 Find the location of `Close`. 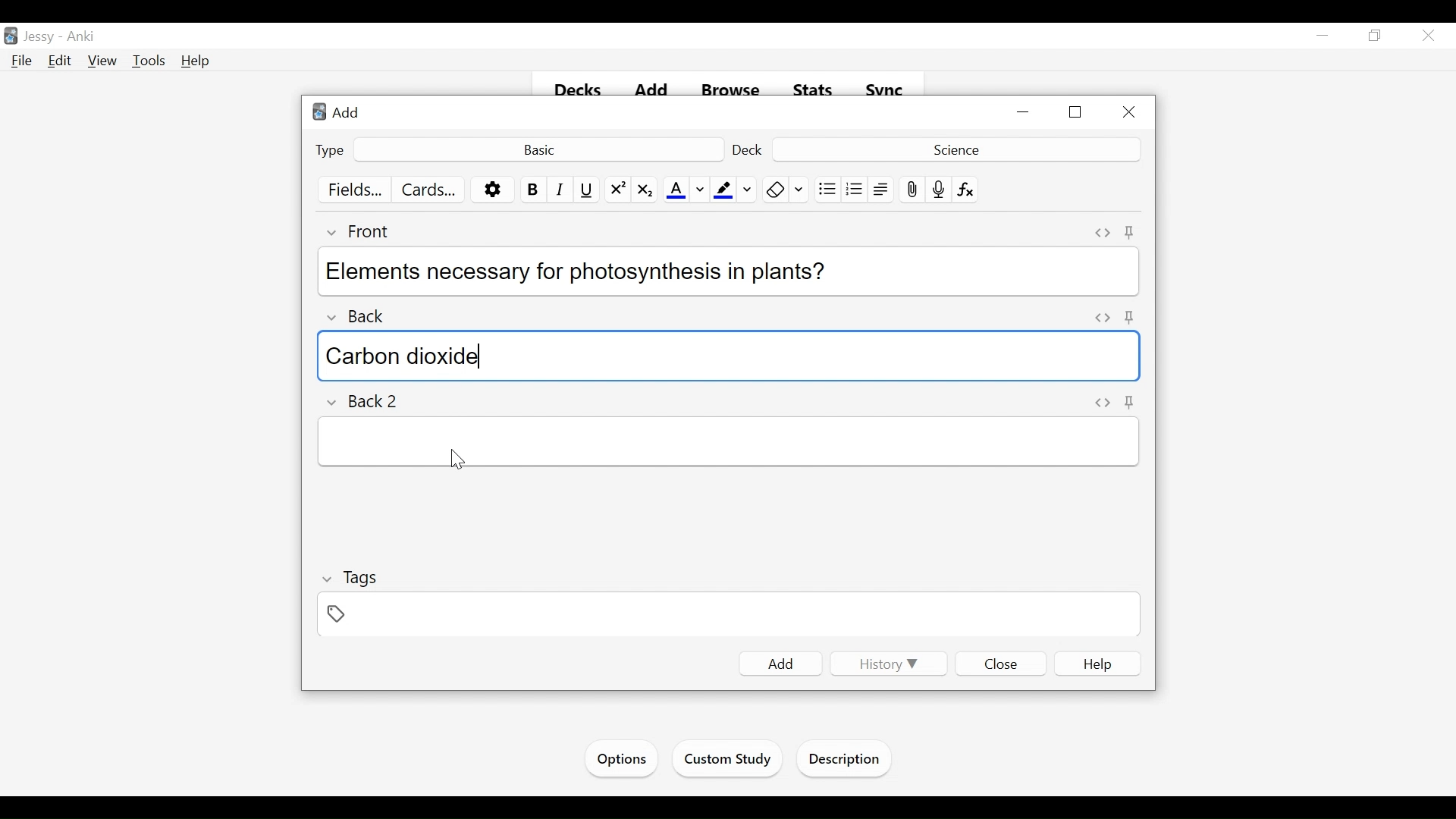

Close is located at coordinates (1426, 37).